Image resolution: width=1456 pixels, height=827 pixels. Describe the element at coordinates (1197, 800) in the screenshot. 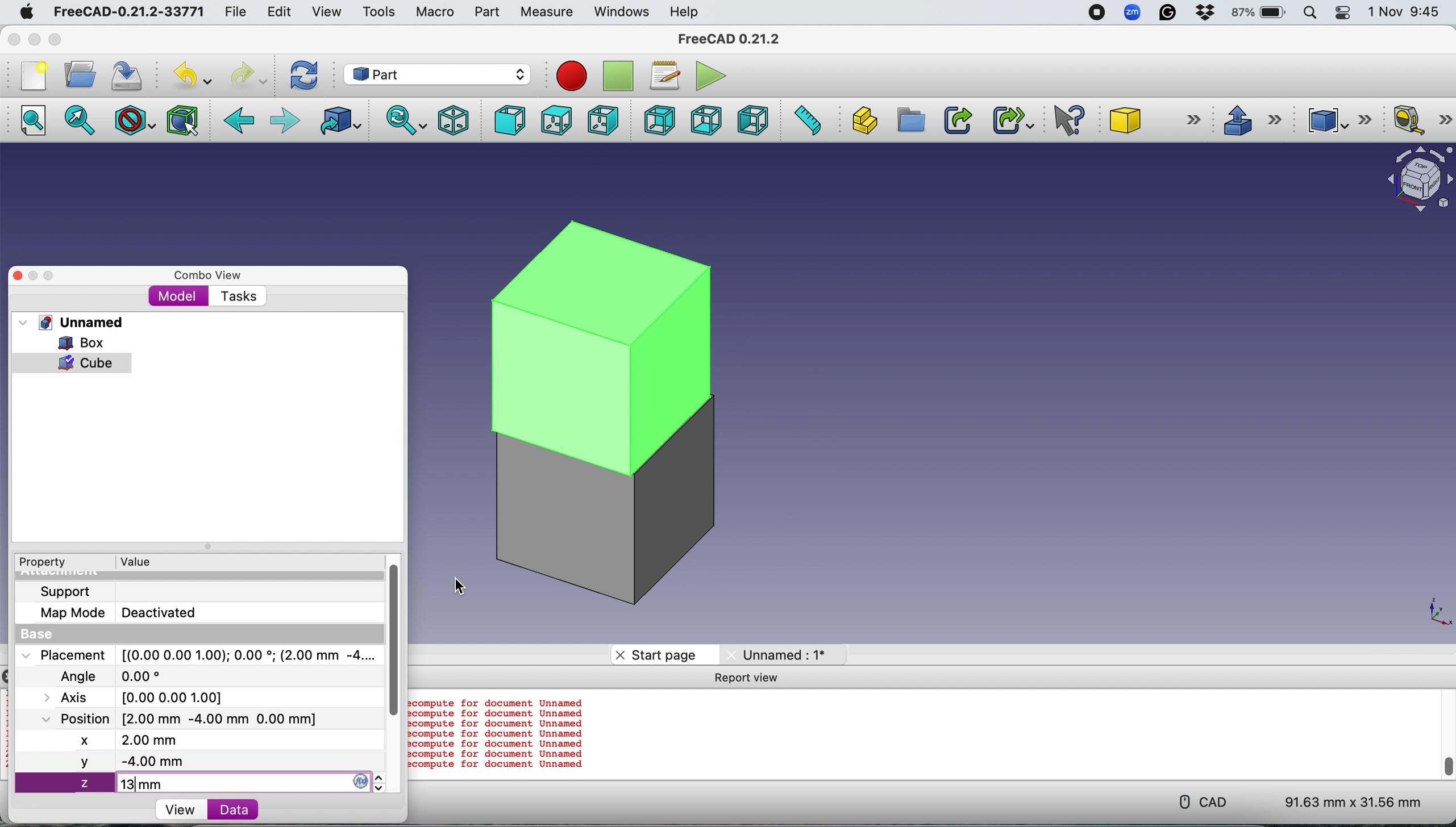

I see `CAD` at that location.